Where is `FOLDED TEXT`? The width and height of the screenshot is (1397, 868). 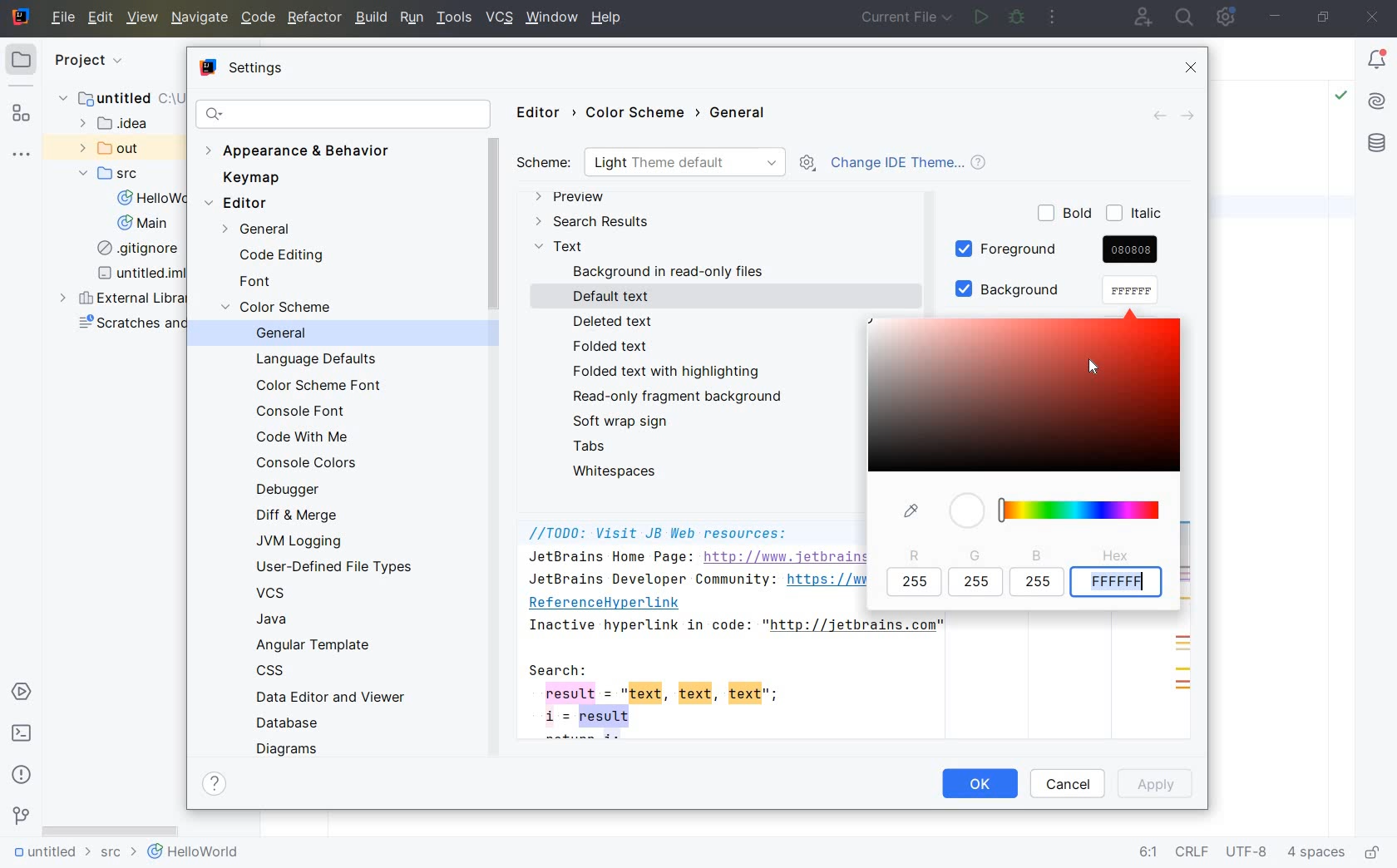
FOLDED TEXT is located at coordinates (615, 348).